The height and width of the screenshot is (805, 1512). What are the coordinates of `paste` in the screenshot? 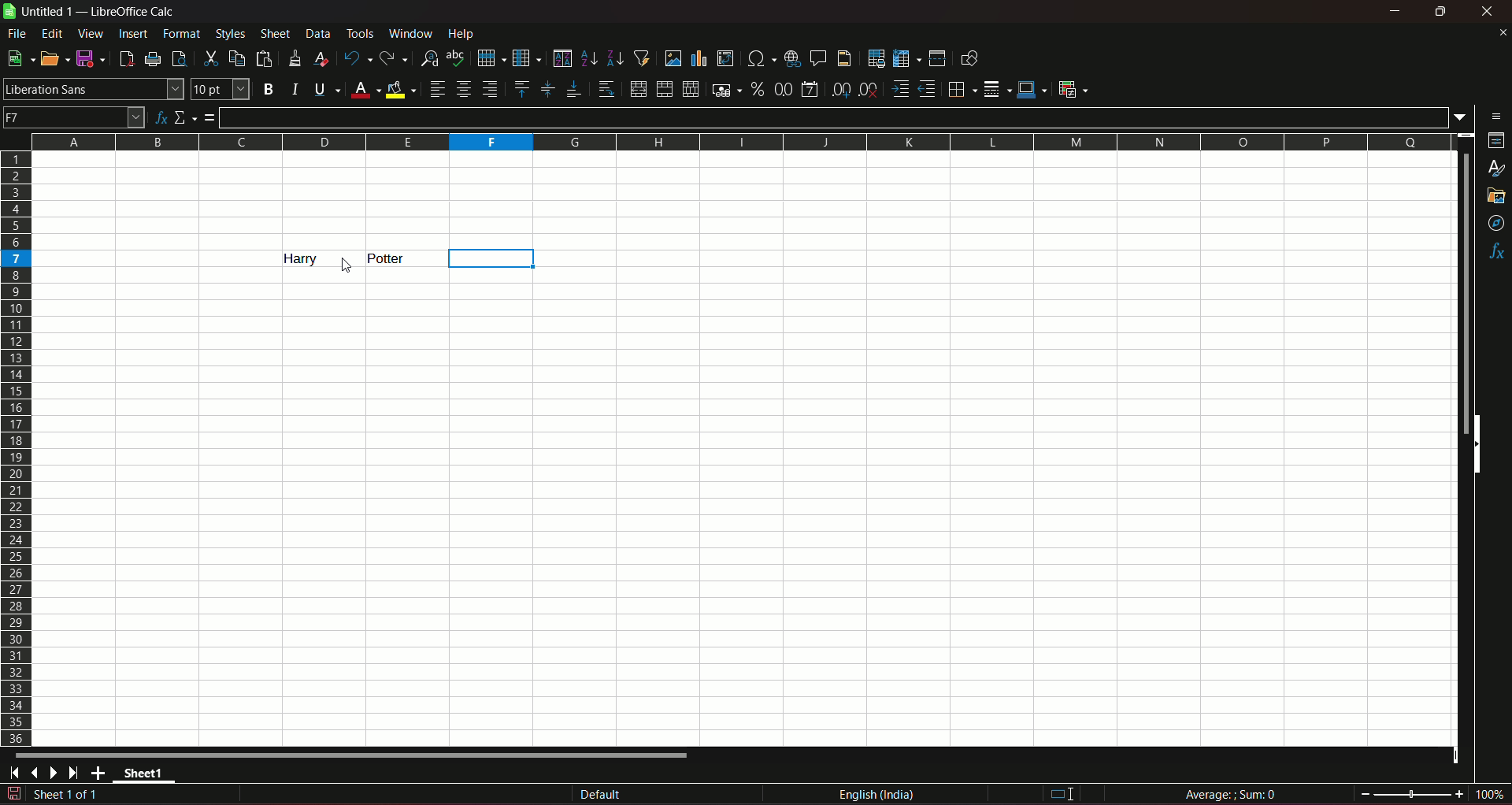 It's located at (266, 58).